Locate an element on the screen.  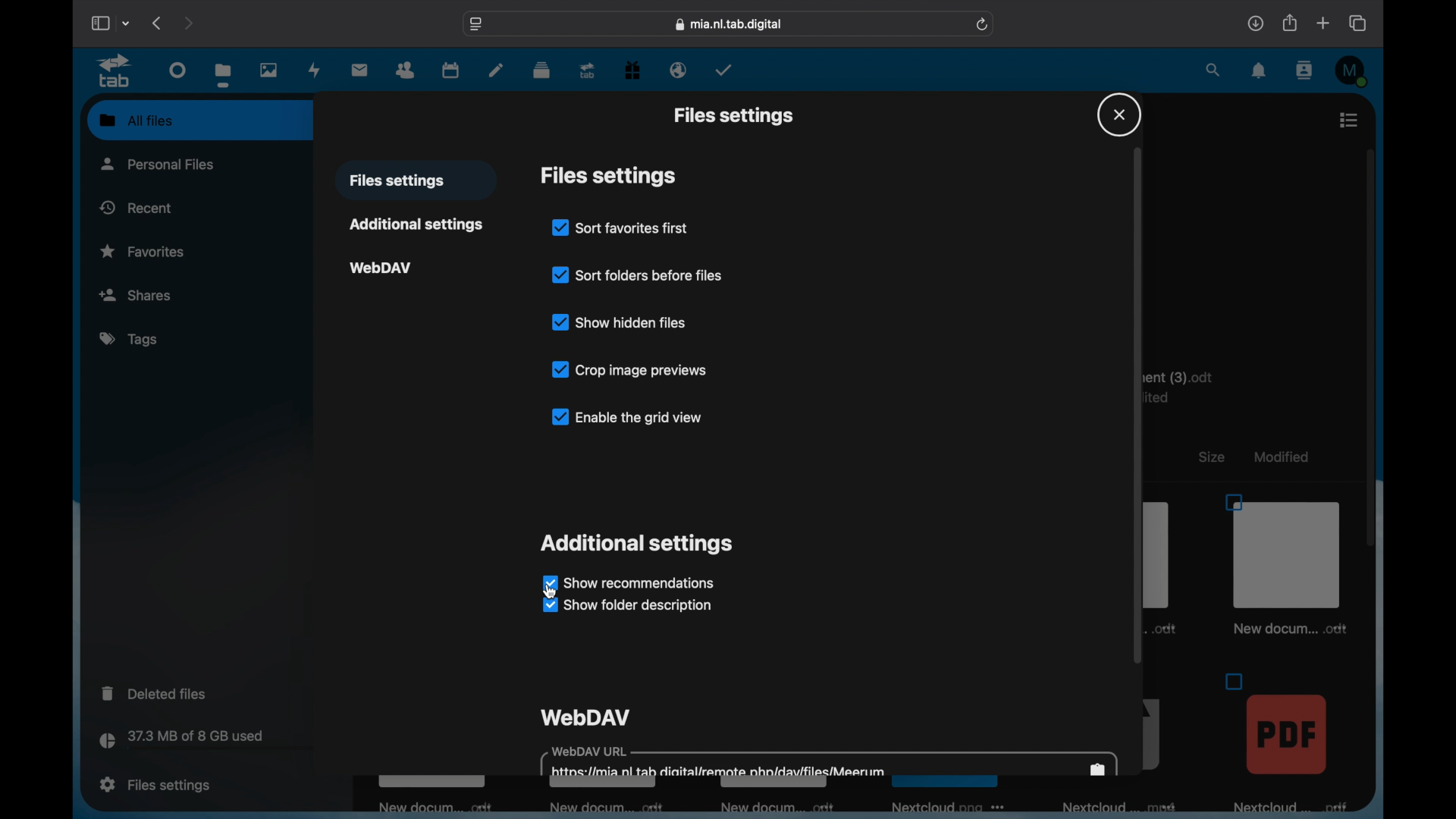
webdav is located at coordinates (586, 717).